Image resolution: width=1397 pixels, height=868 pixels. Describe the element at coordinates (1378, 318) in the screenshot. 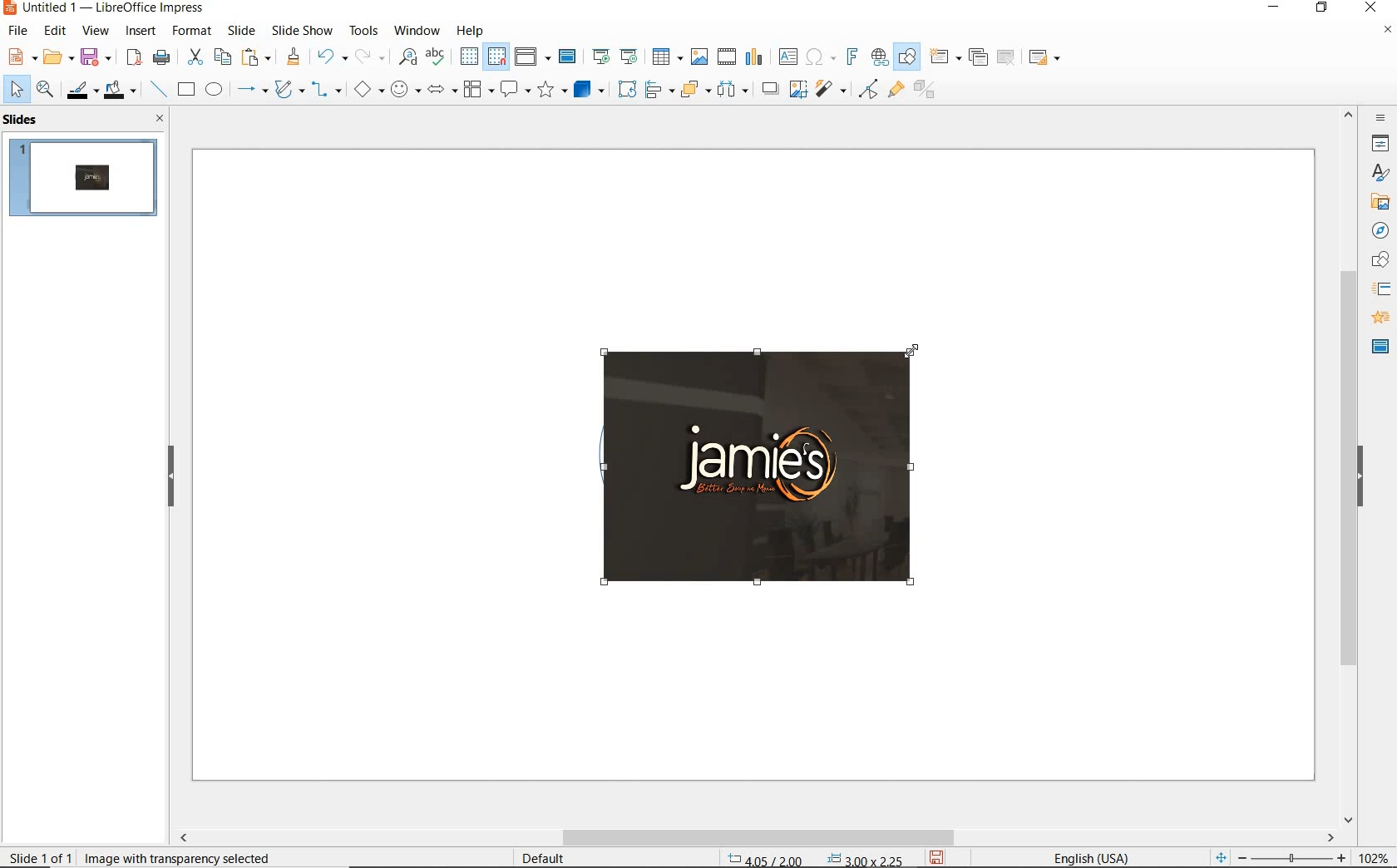

I see `animation` at that location.